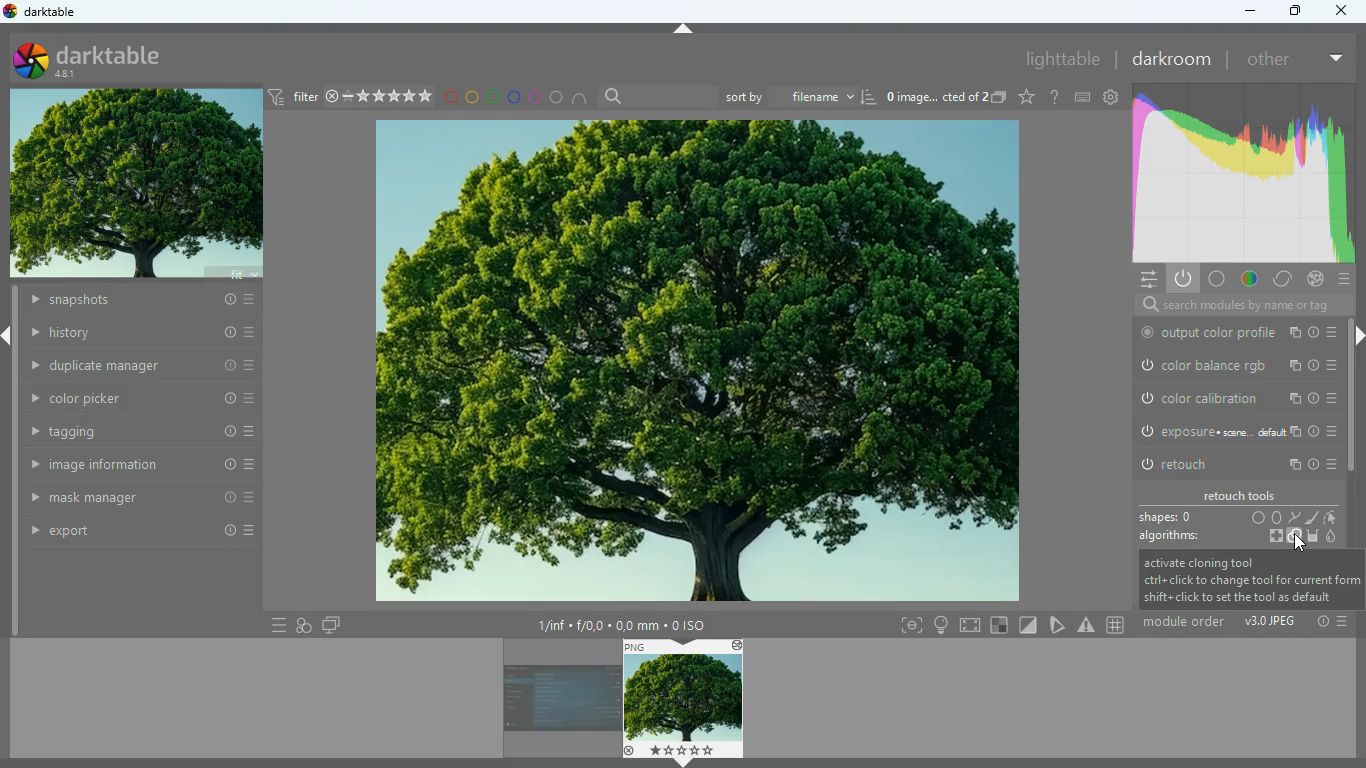 The width and height of the screenshot is (1366, 768). I want to click on effect, so click(1312, 278).